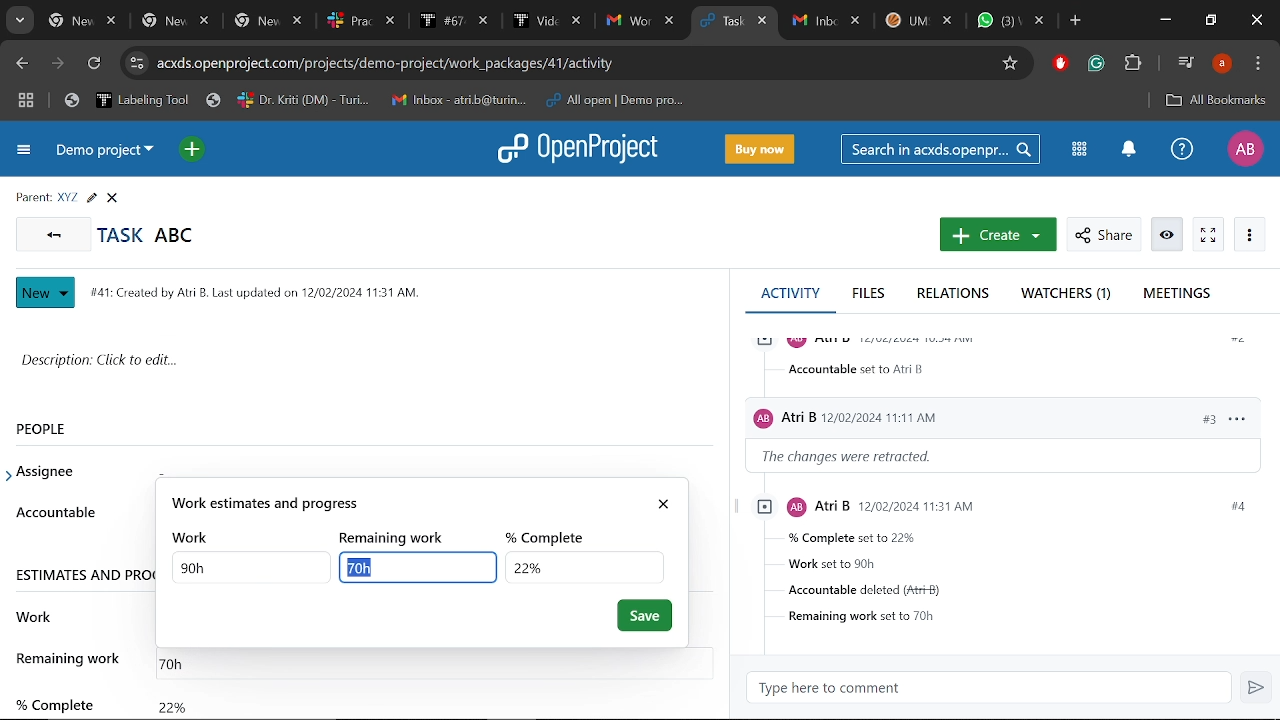 This screenshot has height=720, width=1280. What do you see at coordinates (942, 414) in the screenshot?
I see `Users` at bounding box center [942, 414].